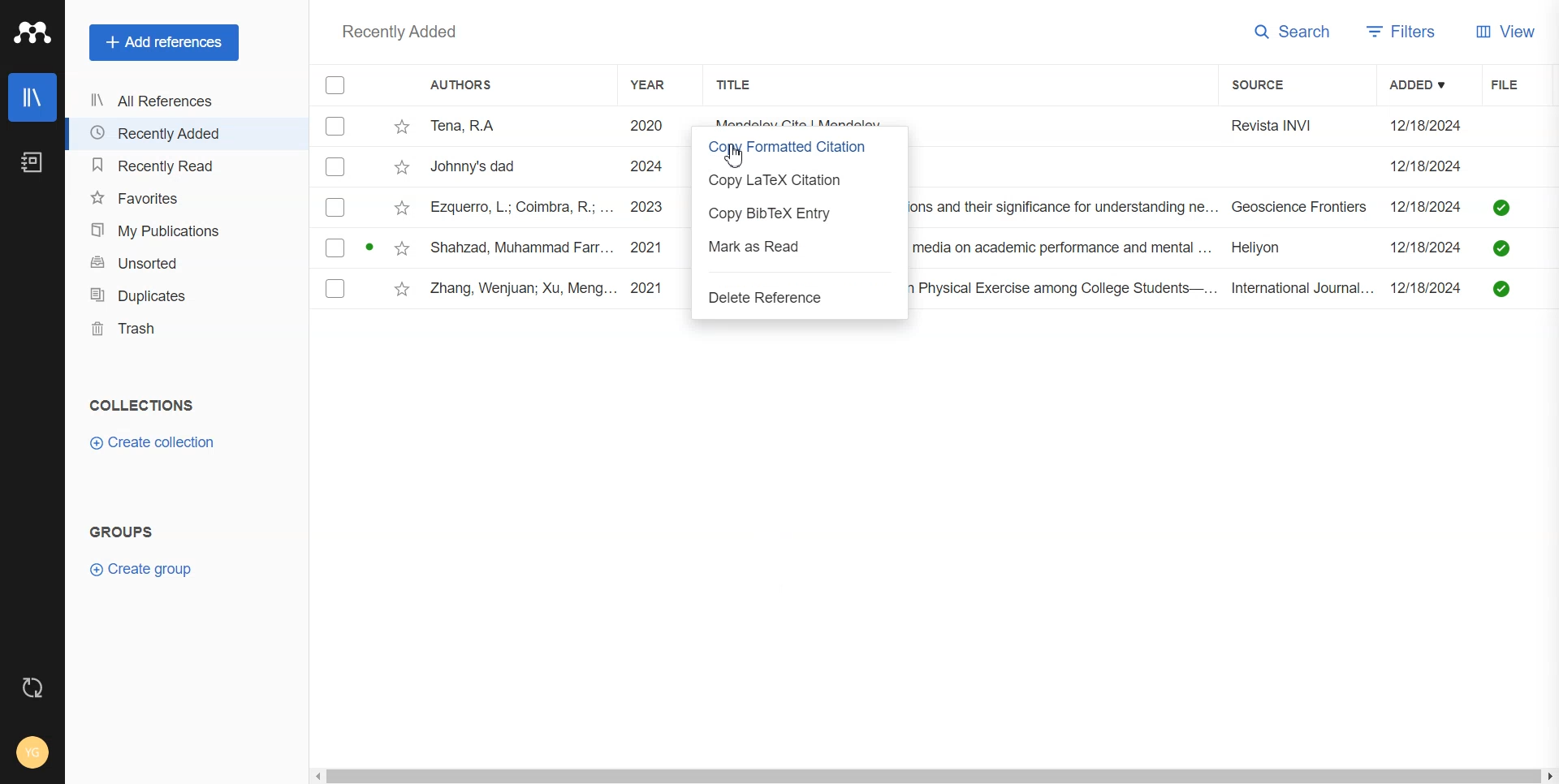  What do you see at coordinates (1432, 205) in the screenshot?
I see `12/18/2024` at bounding box center [1432, 205].